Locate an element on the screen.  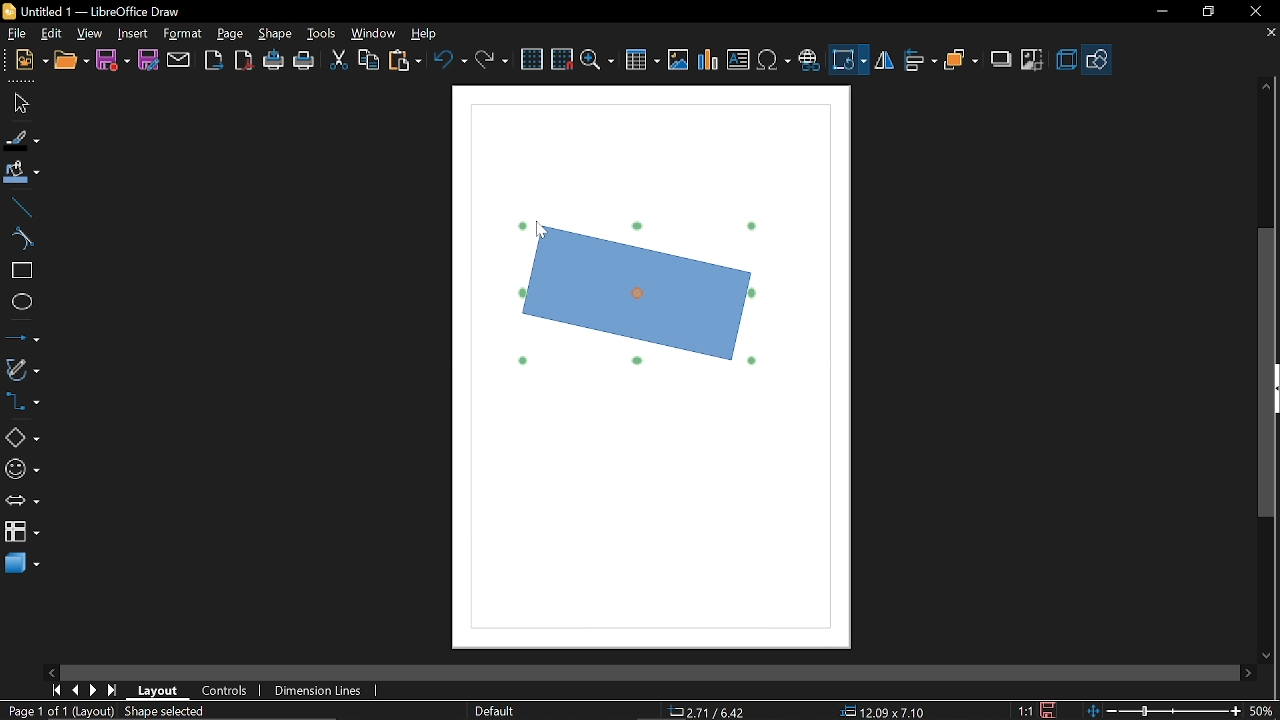
allign is located at coordinates (918, 61).